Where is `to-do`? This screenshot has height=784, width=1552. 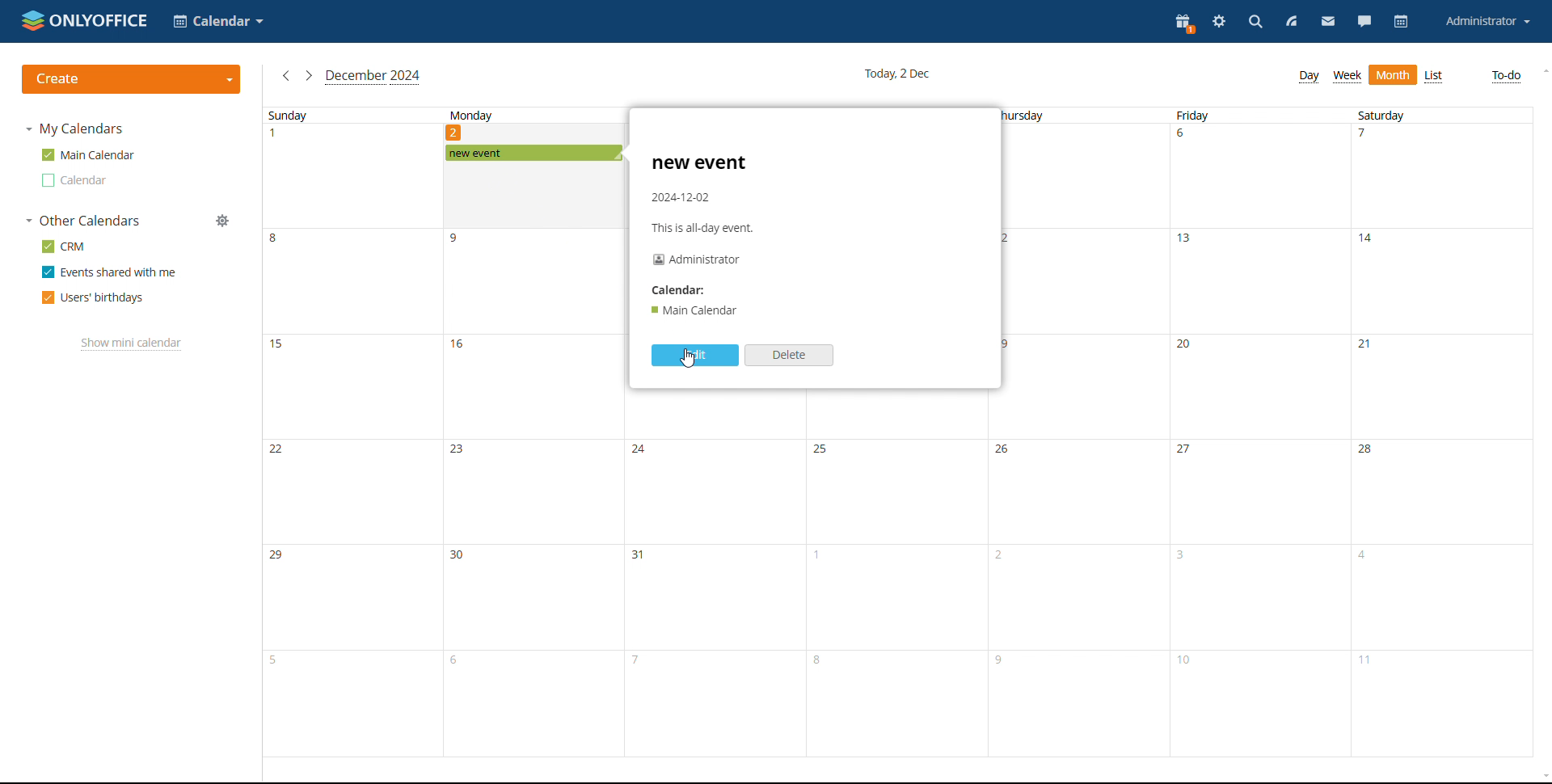 to-do is located at coordinates (1505, 76).